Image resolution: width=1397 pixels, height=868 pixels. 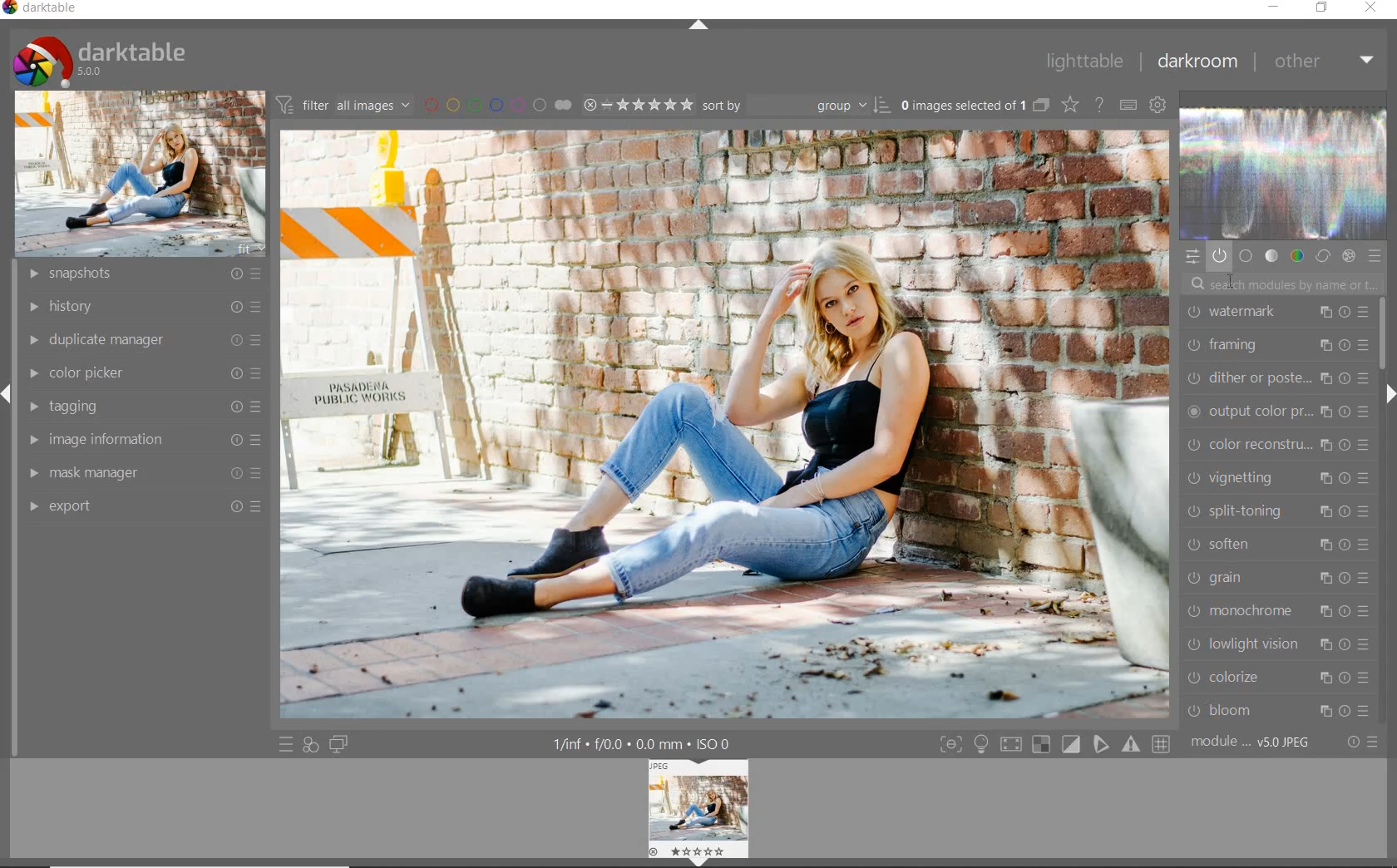 What do you see at coordinates (1231, 280) in the screenshot?
I see `cursor` at bounding box center [1231, 280].